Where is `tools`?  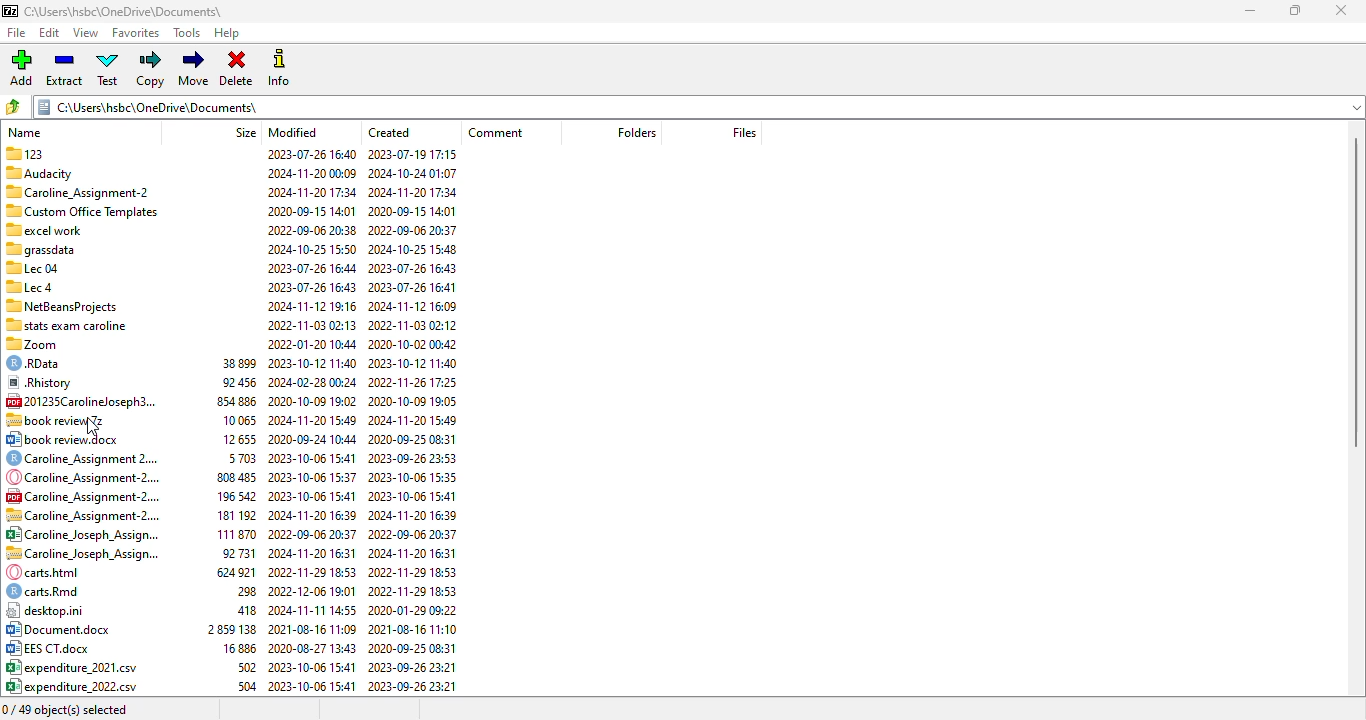
tools is located at coordinates (187, 33).